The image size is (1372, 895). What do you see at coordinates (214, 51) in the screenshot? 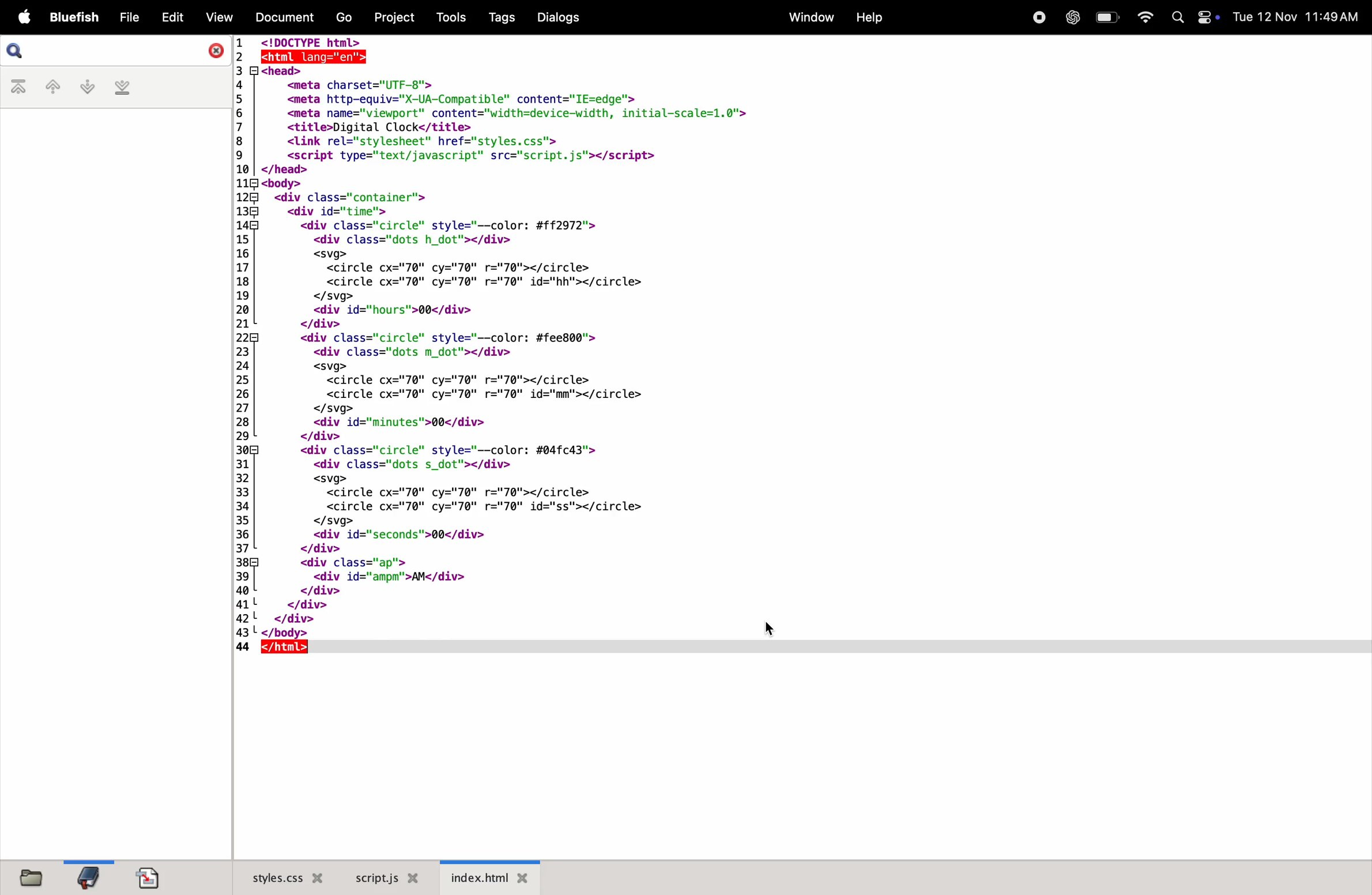
I see `close` at bounding box center [214, 51].